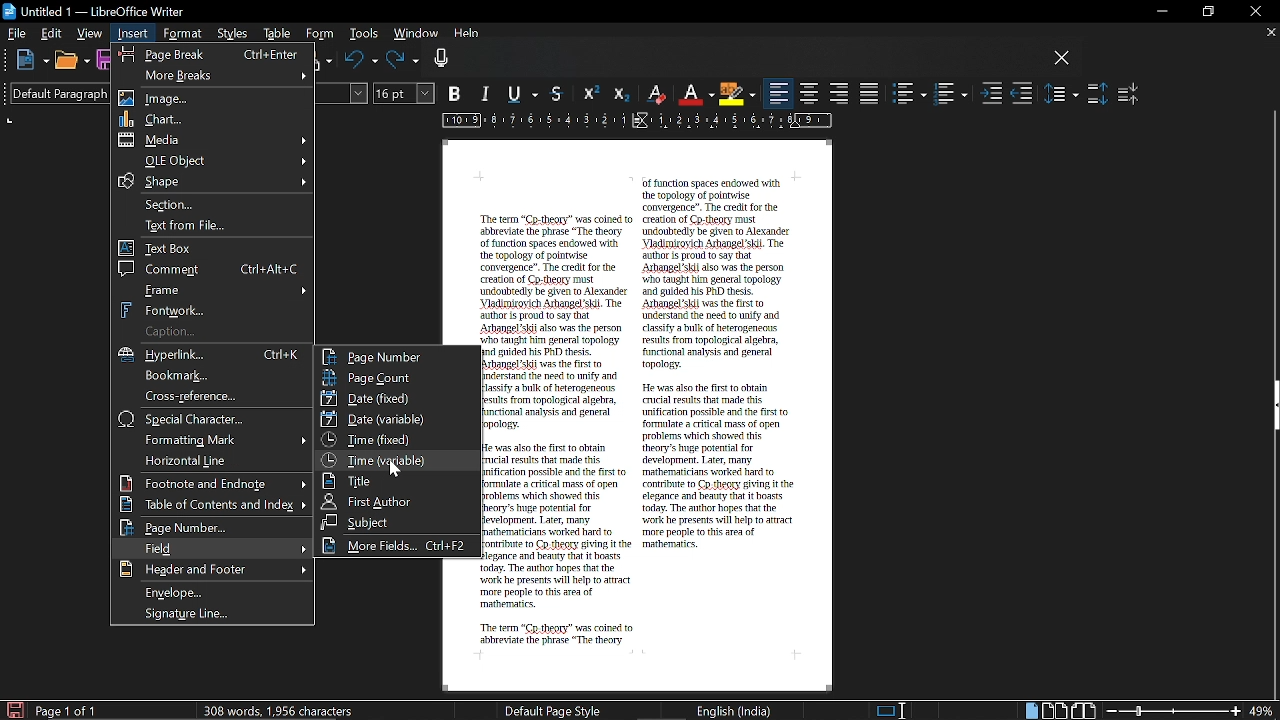  I want to click on Caption, so click(211, 332).